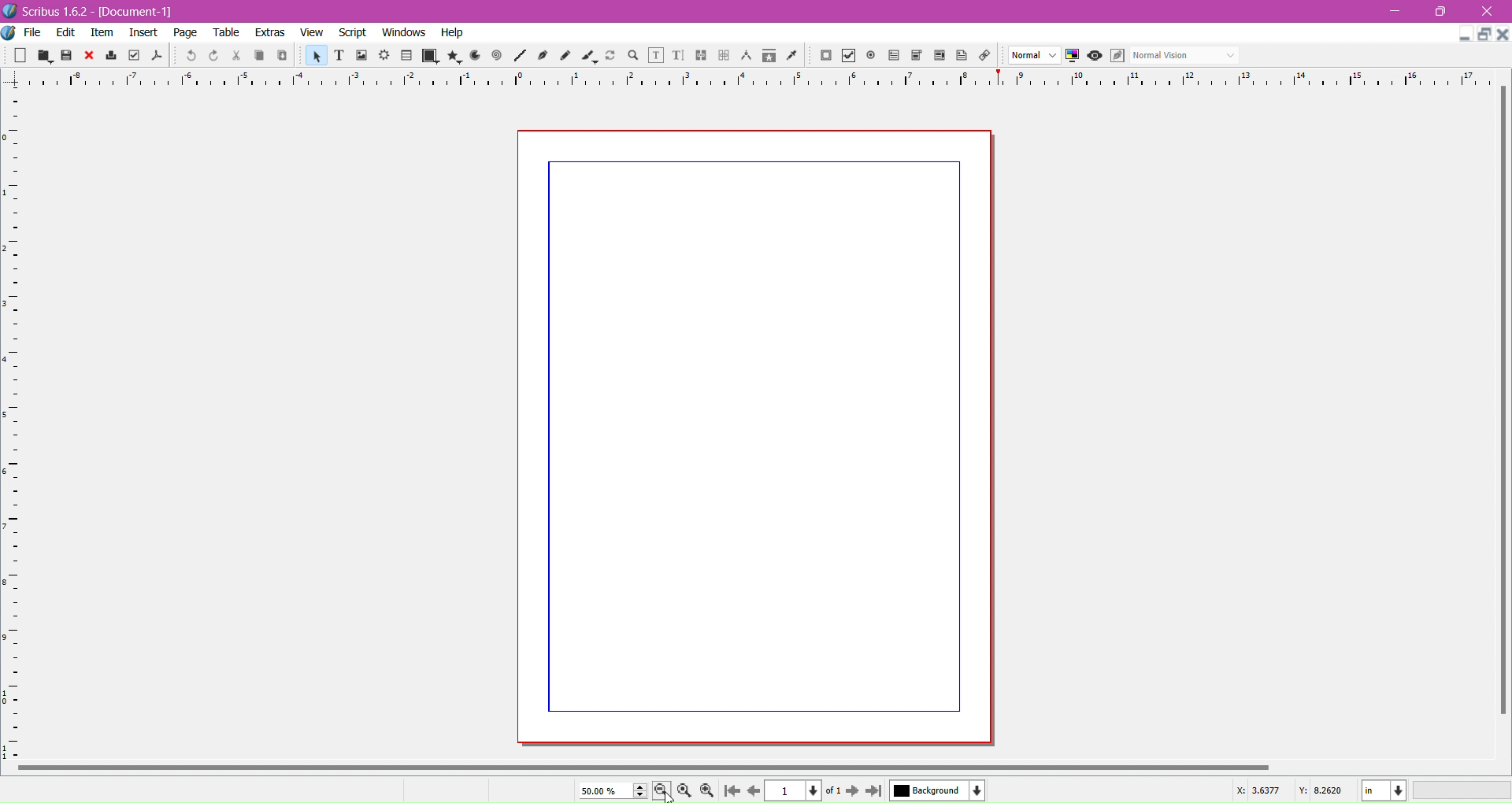 This screenshot has height=803, width=1512. Describe the element at coordinates (724, 55) in the screenshot. I see `Unlink Text Frames` at that location.